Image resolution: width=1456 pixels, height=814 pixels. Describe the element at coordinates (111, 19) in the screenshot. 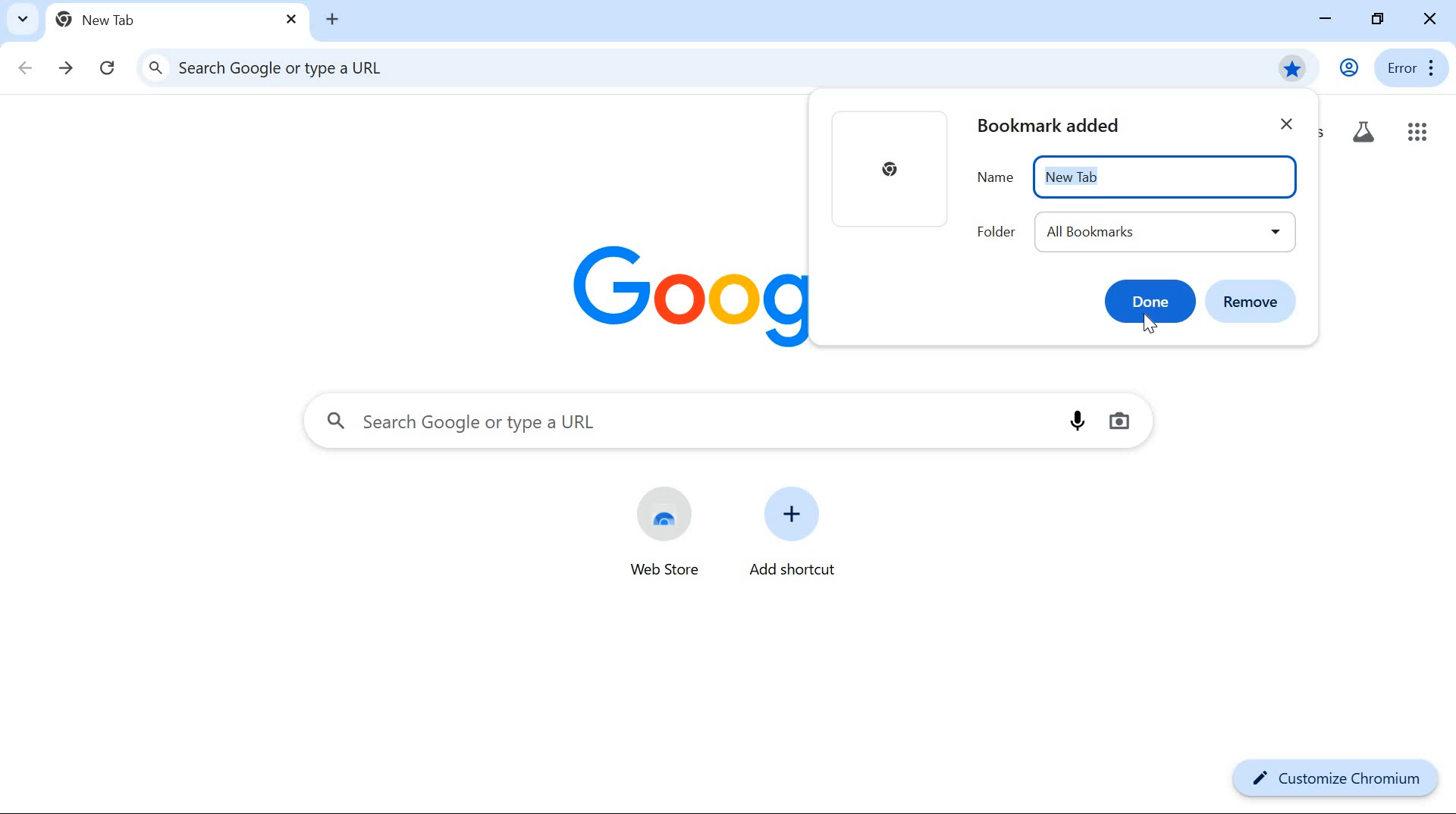

I see `new tab` at that location.